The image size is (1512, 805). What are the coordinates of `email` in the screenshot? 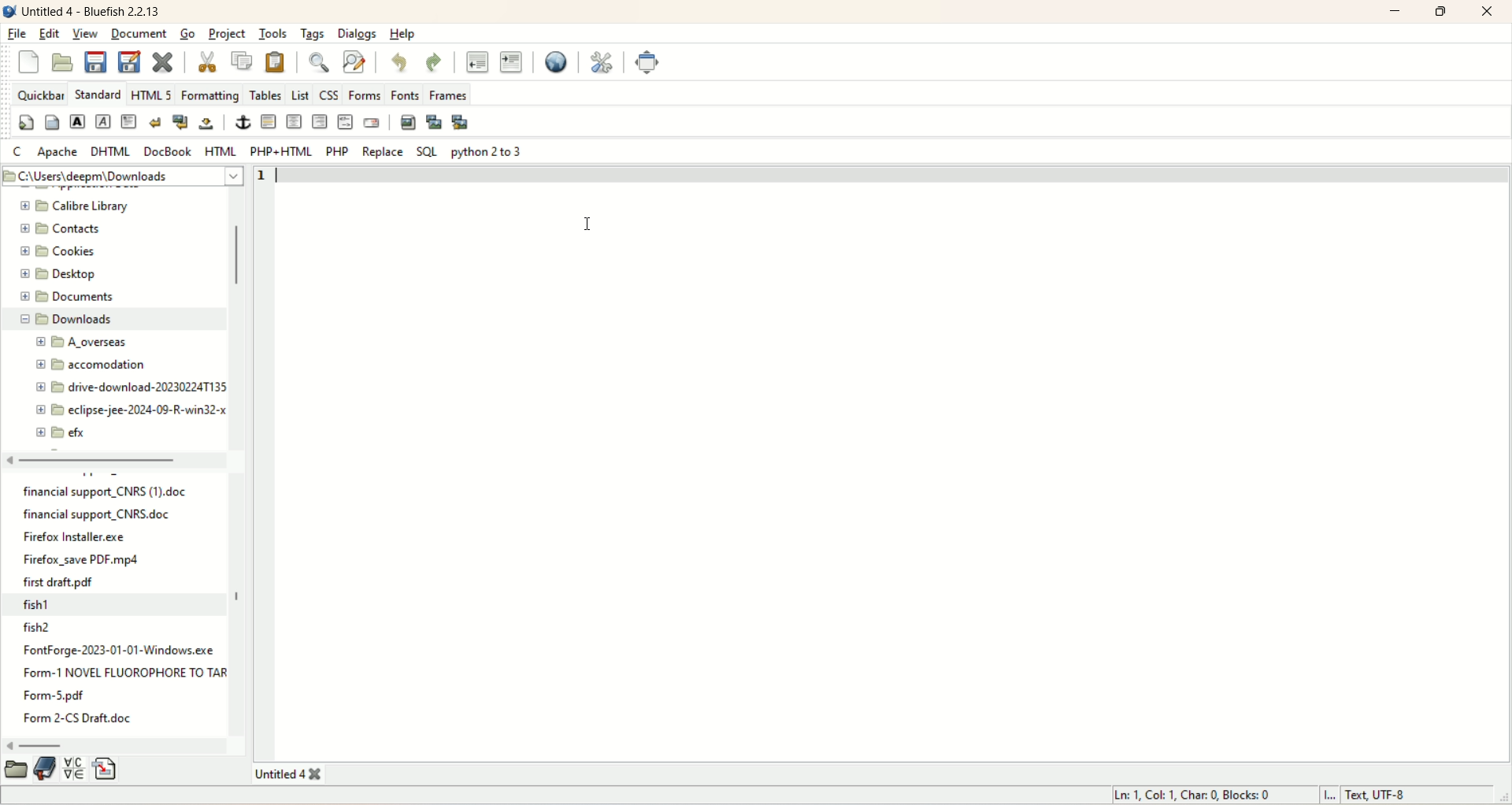 It's located at (372, 122).